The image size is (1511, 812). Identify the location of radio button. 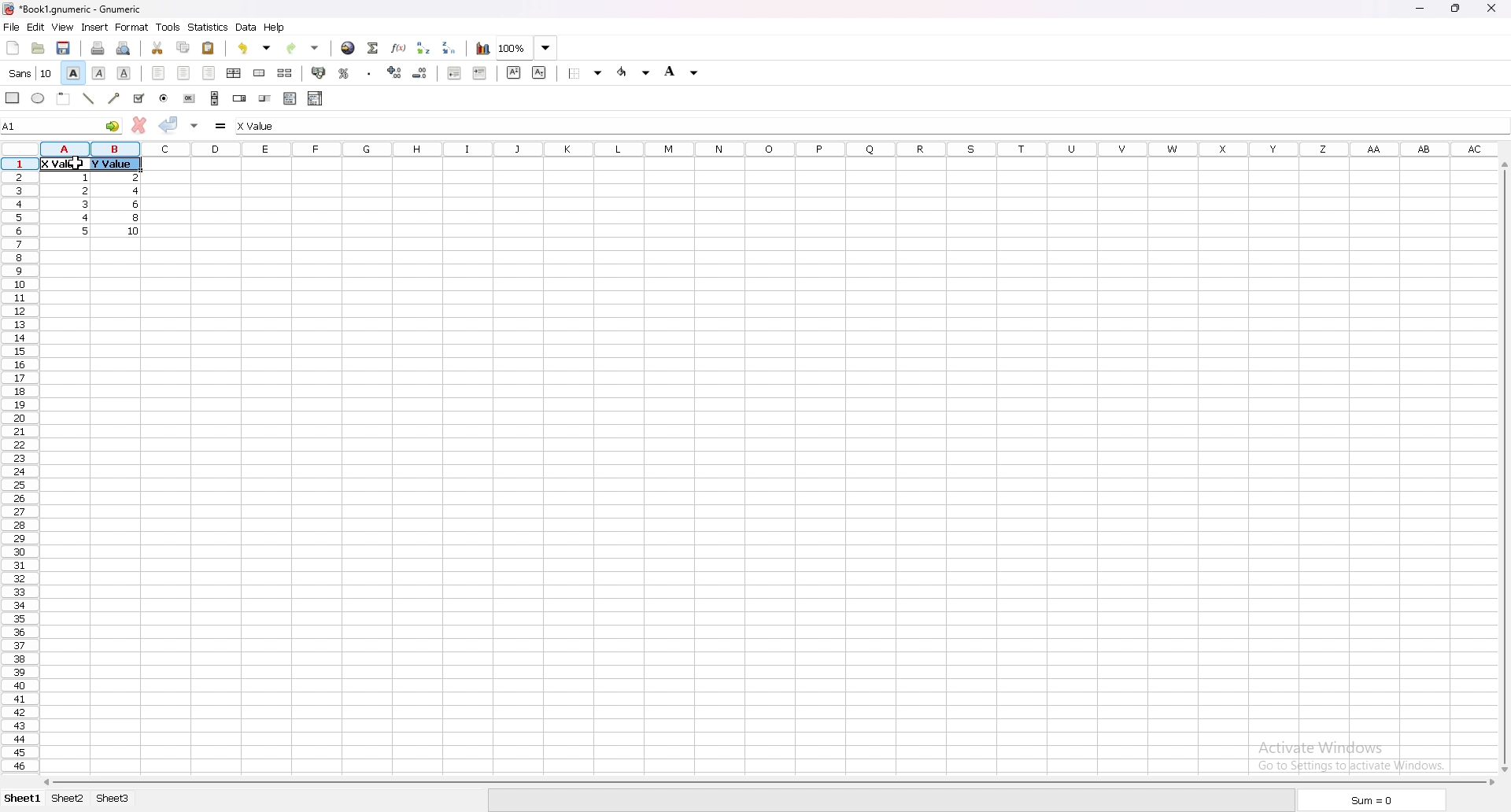
(164, 98).